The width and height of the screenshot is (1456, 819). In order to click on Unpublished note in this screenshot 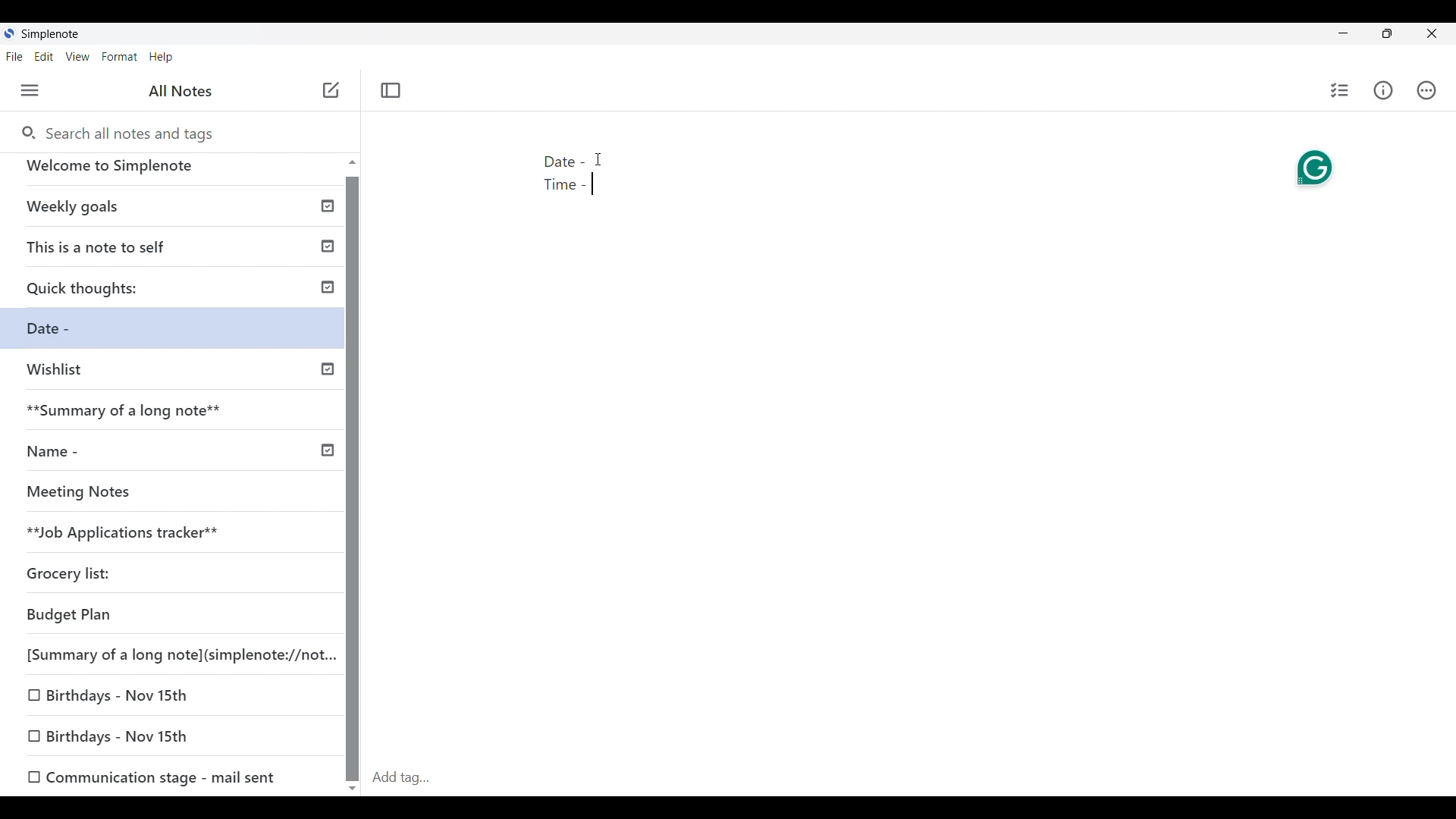, I will do `click(75, 576)`.